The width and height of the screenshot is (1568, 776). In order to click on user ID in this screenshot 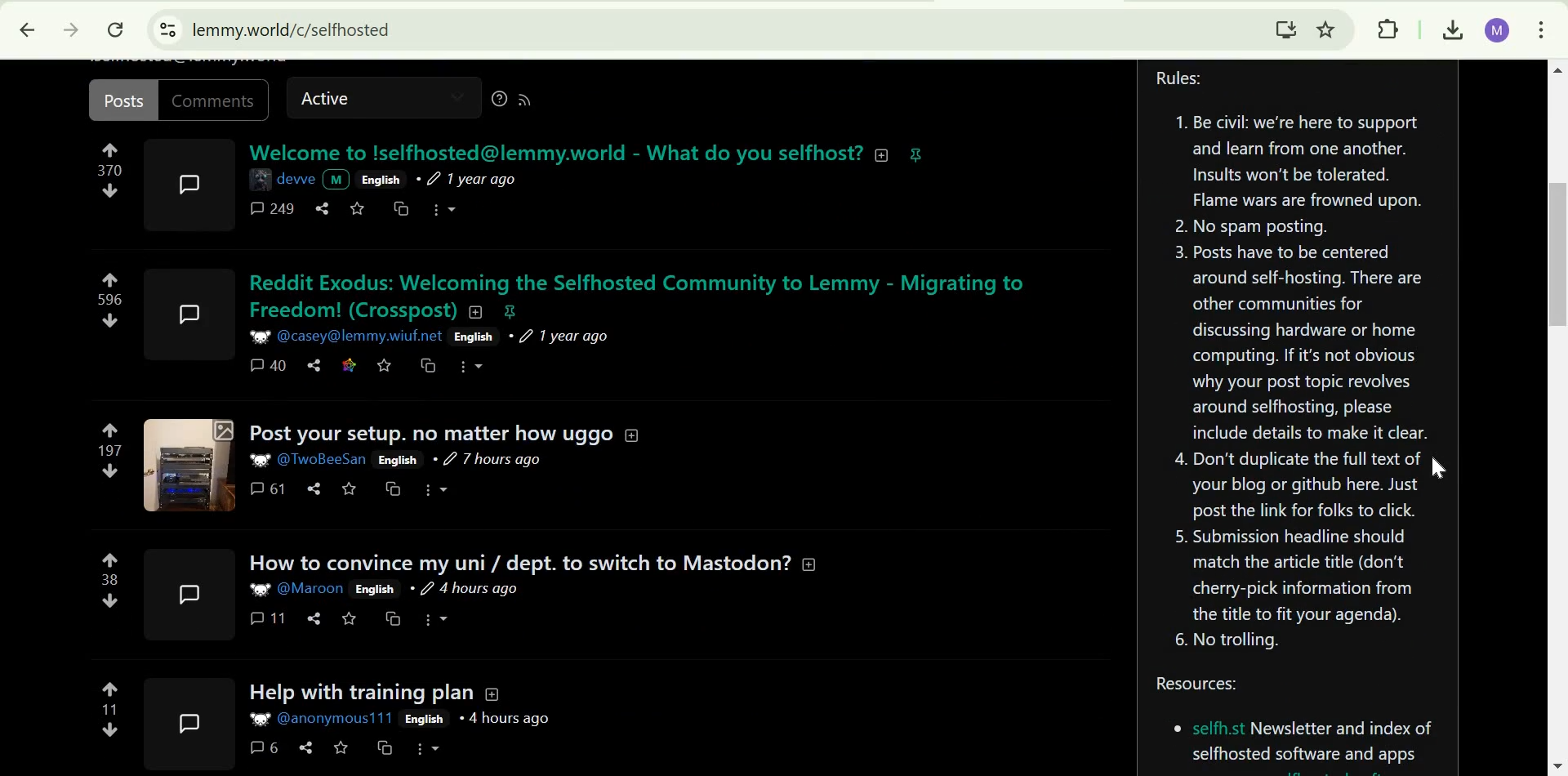, I will do `click(310, 589)`.